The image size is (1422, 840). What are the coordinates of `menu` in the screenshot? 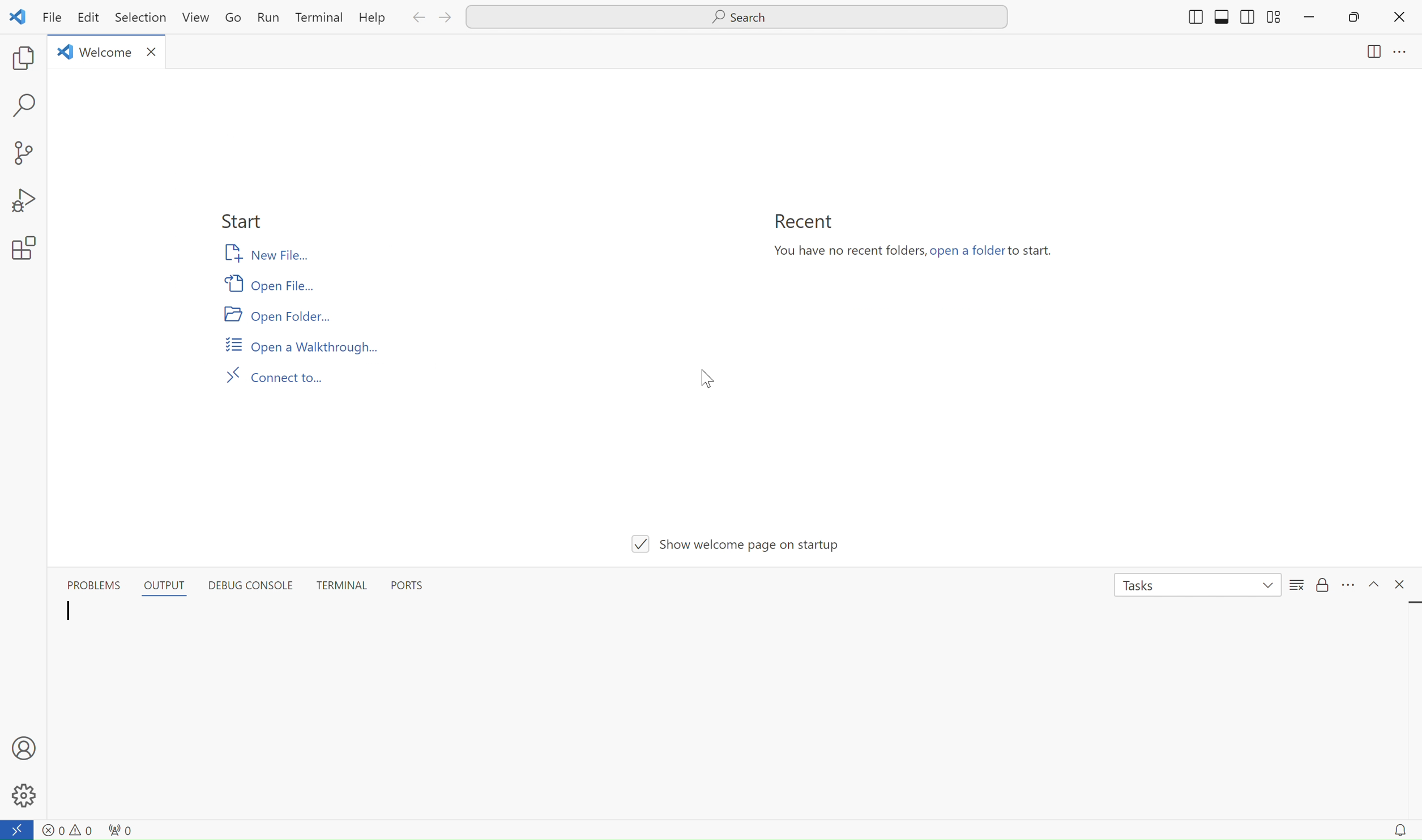 It's located at (1351, 586).